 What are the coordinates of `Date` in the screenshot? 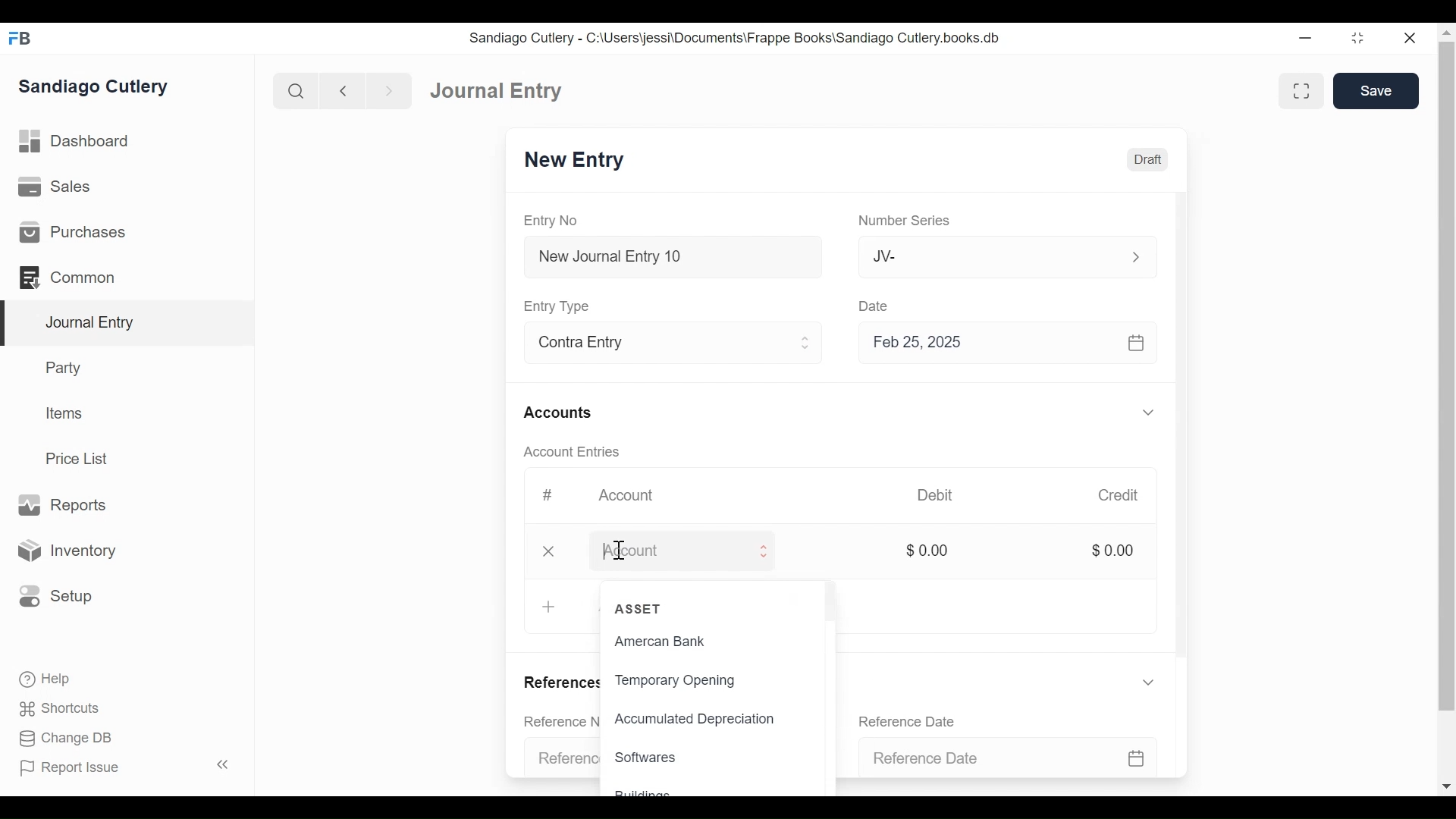 It's located at (877, 305).